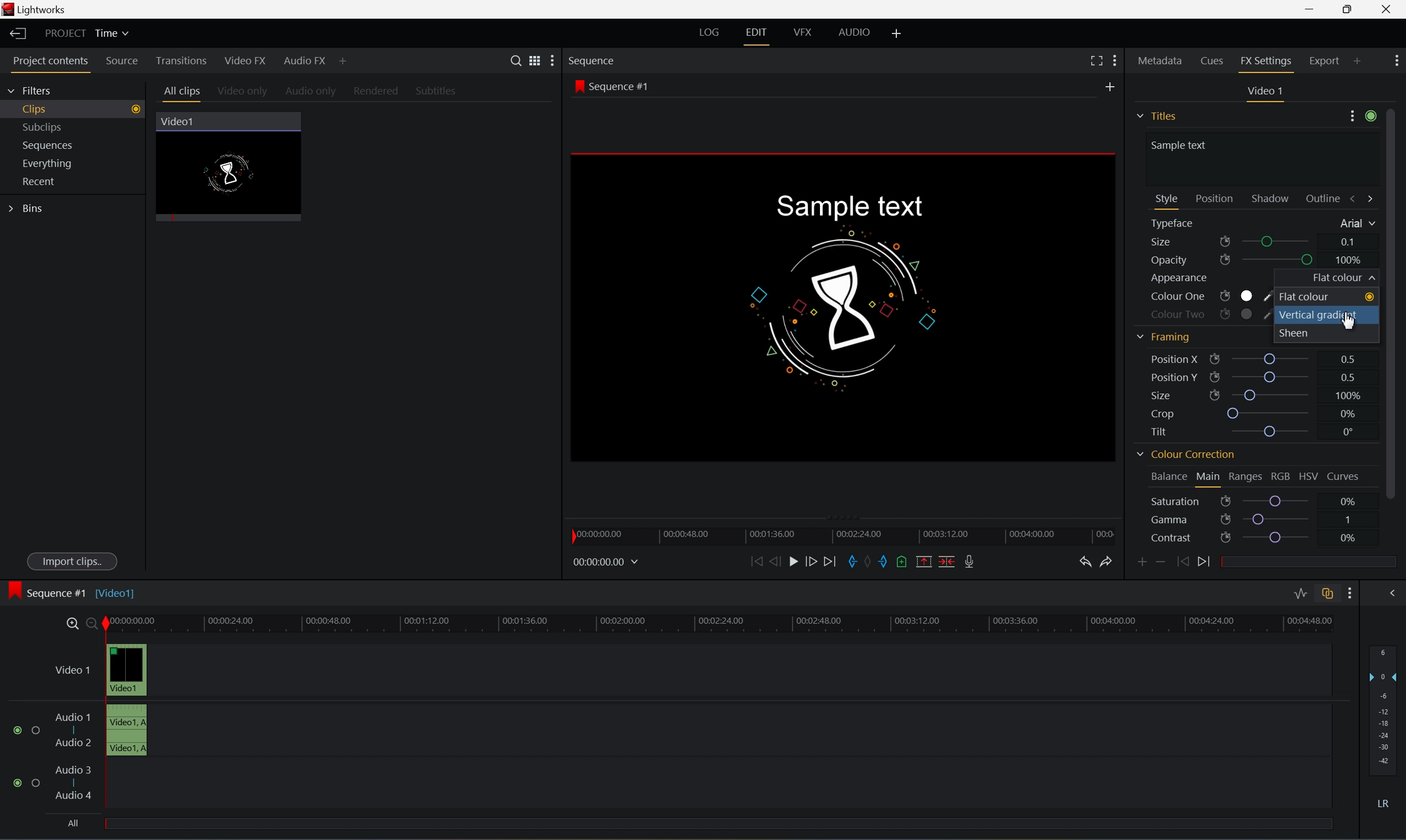 Image resolution: width=1406 pixels, height=840 pixels. I want to click on All, so click(73, 821).